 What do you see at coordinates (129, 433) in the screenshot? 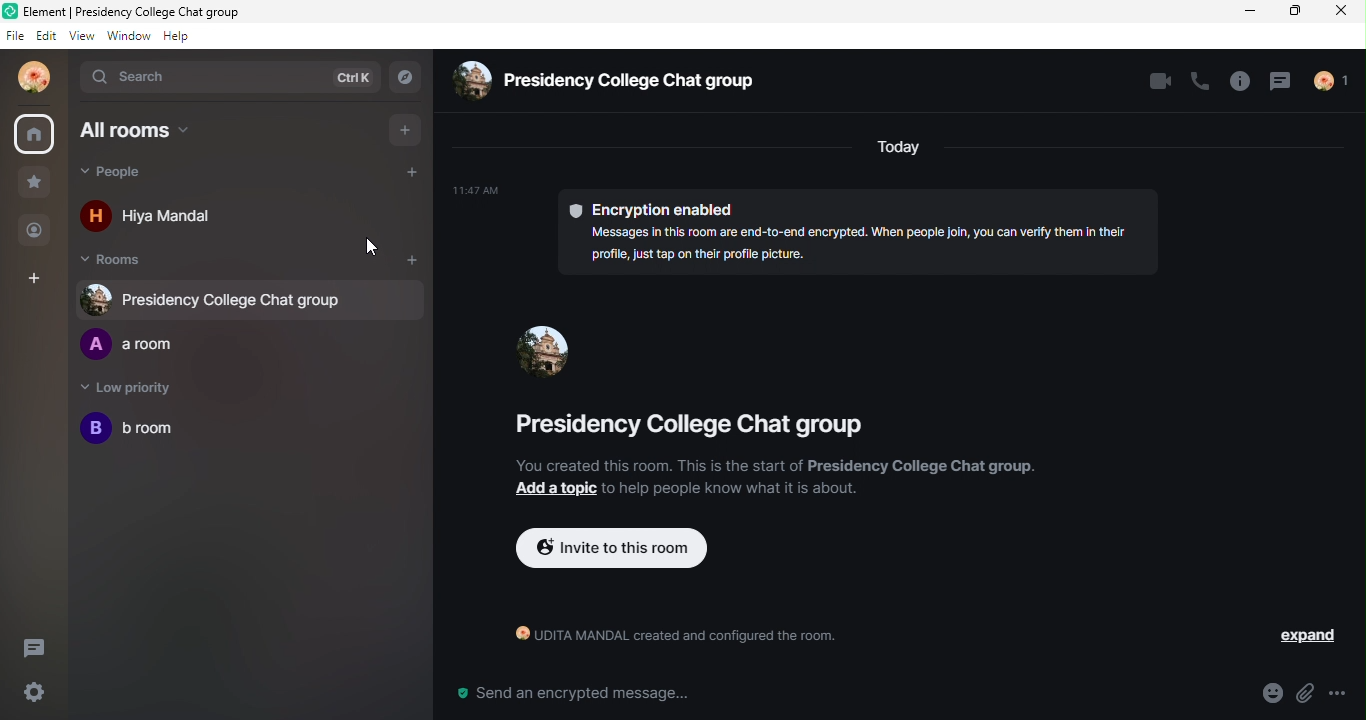
I see `b room` at bounding box center [129, 433].